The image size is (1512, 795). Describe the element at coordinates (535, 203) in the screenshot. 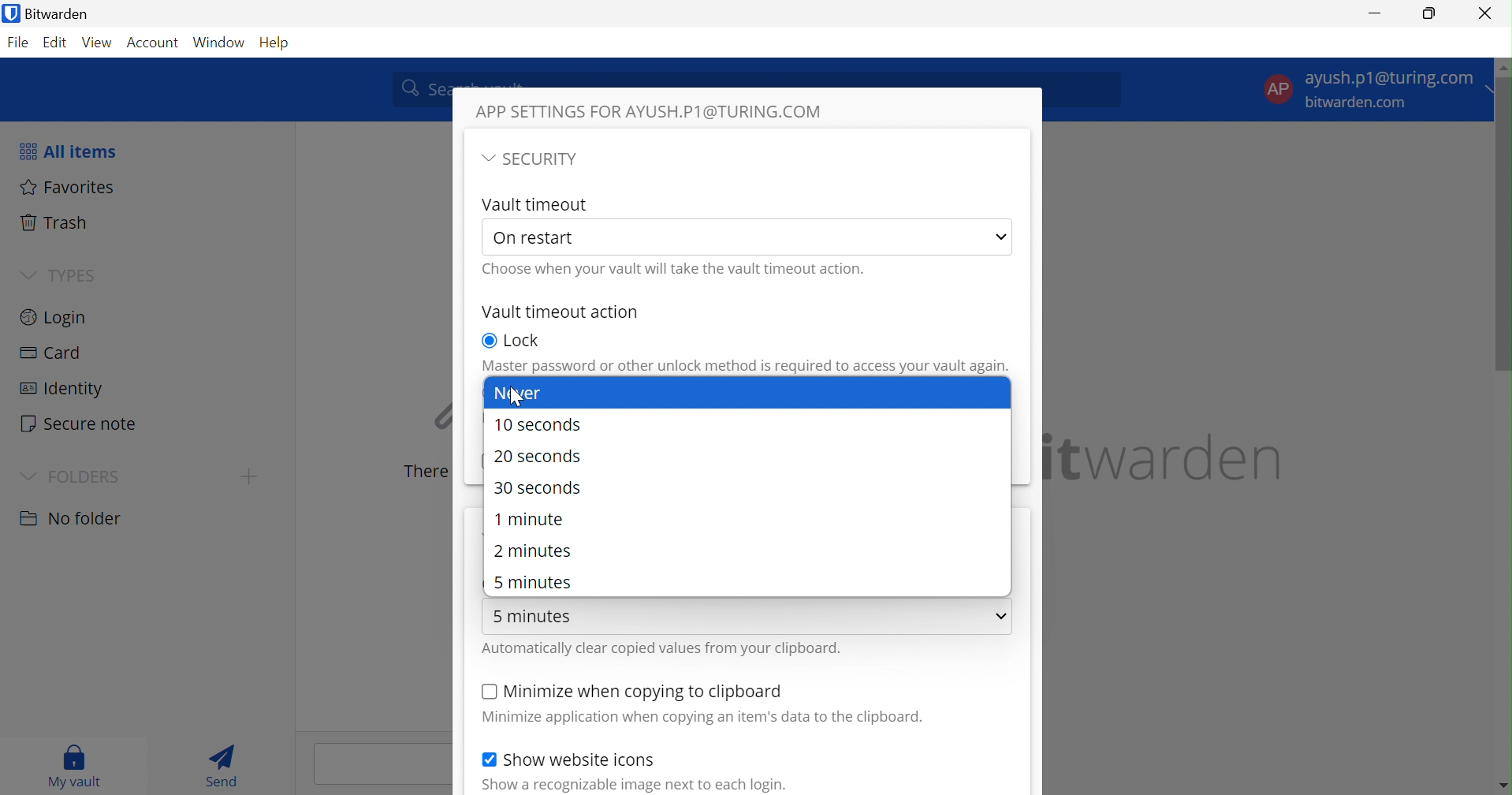

I see `Vault Timeout` at that location.